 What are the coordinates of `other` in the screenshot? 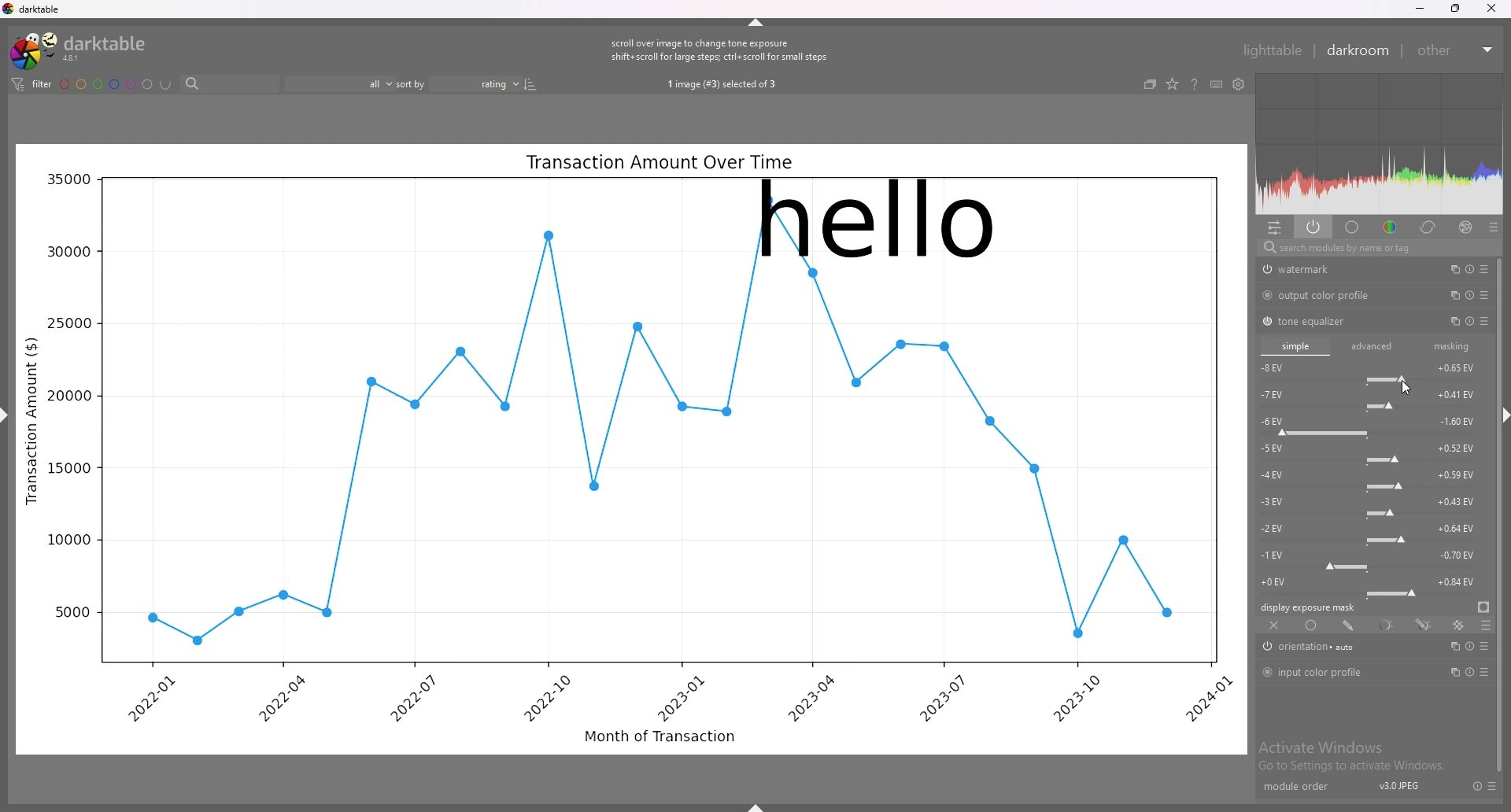 It's located at (1439, 51).